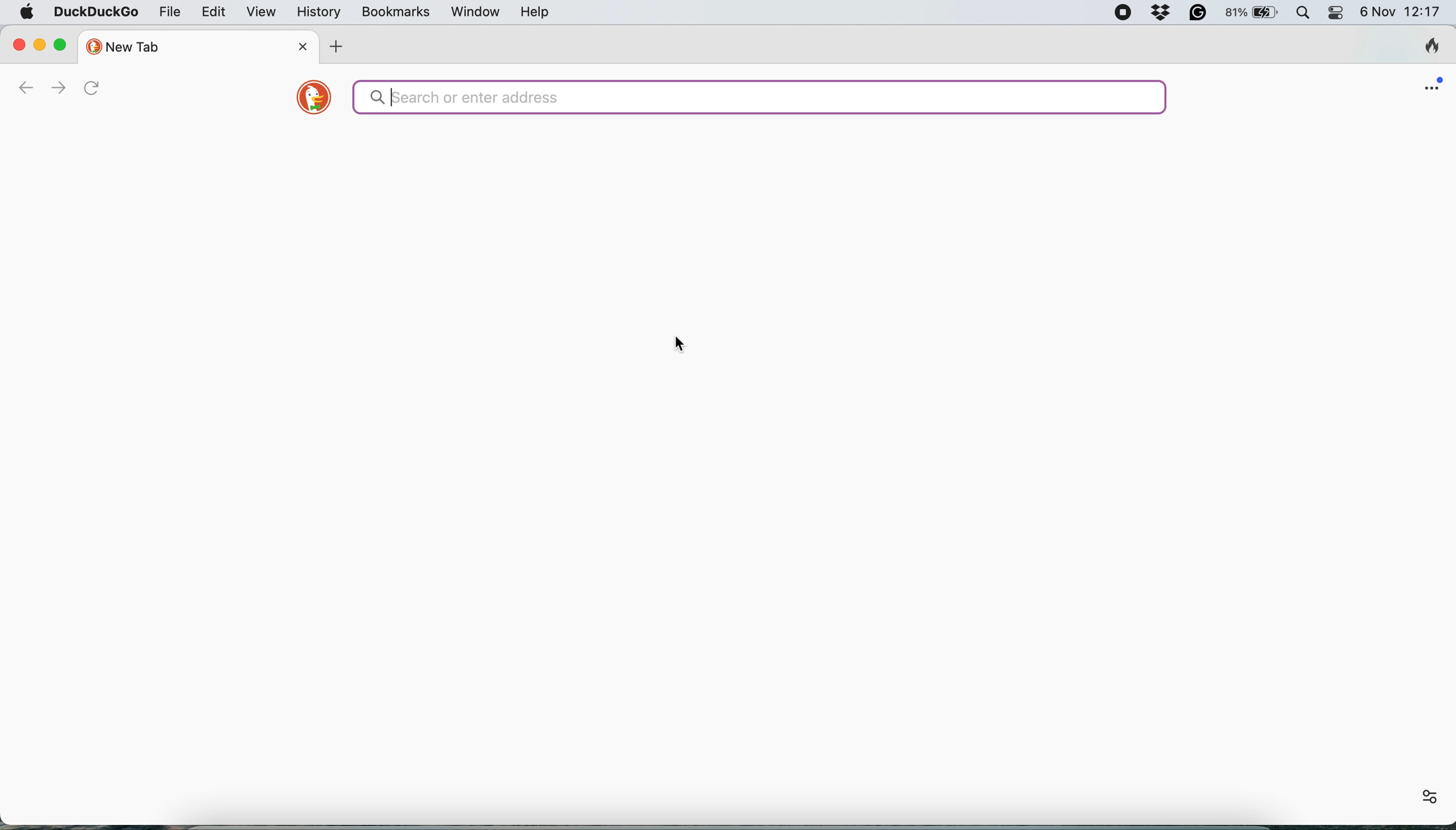 Image resolution: width=1456 pixels, height=830 pixels. Describe the element at coordinates (95, 13) in the screenshot. I see `duckduckgo` at that location.